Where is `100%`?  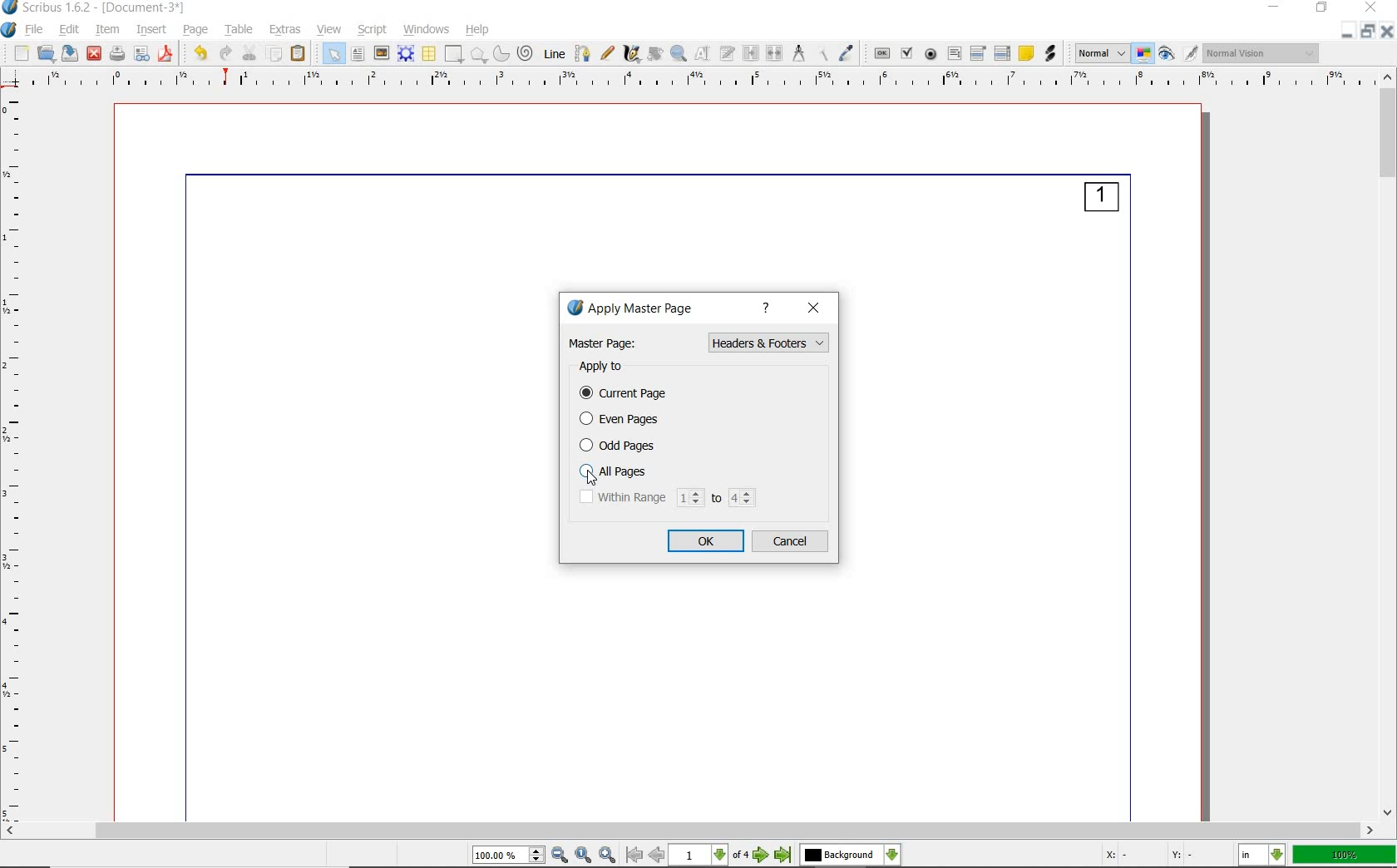
100% is located at coordinates (1345, 856).